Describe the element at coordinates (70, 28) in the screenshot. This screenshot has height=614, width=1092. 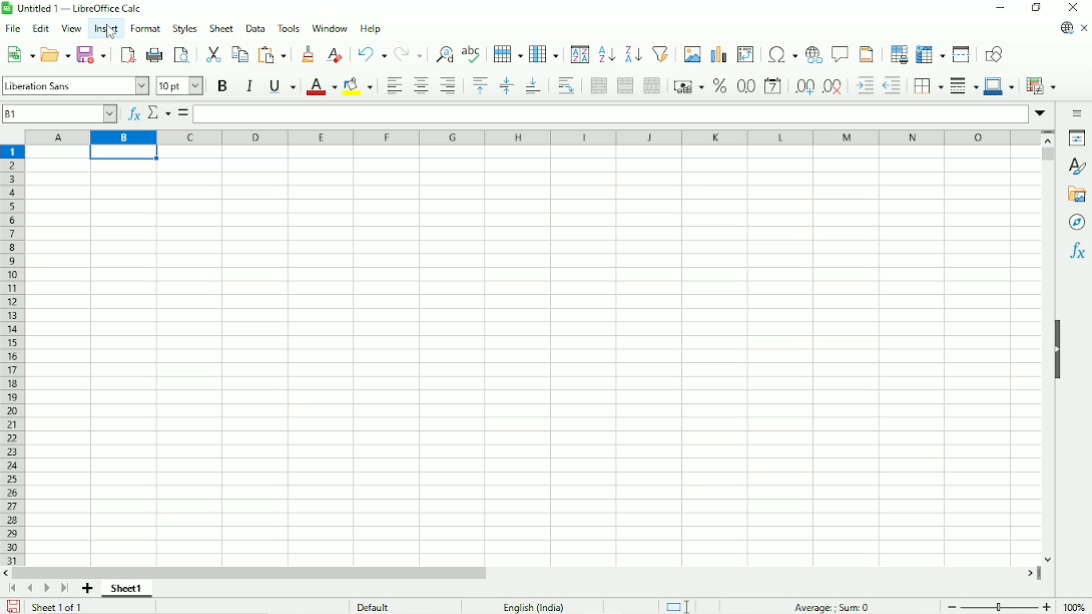
I see `View` at that location.